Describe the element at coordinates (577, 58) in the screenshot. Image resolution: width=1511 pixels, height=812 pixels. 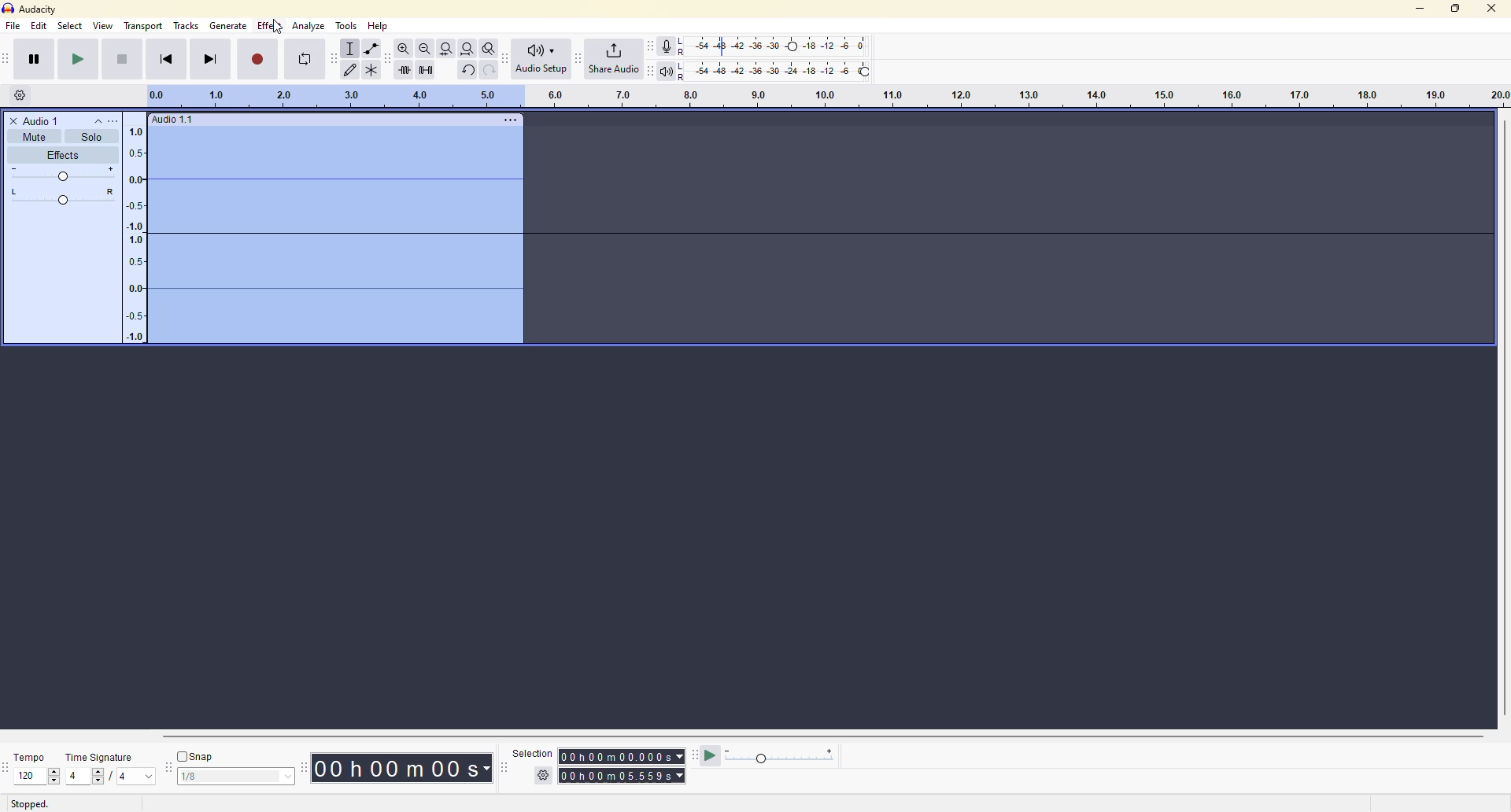
I see `share audio toolbar` at that location.